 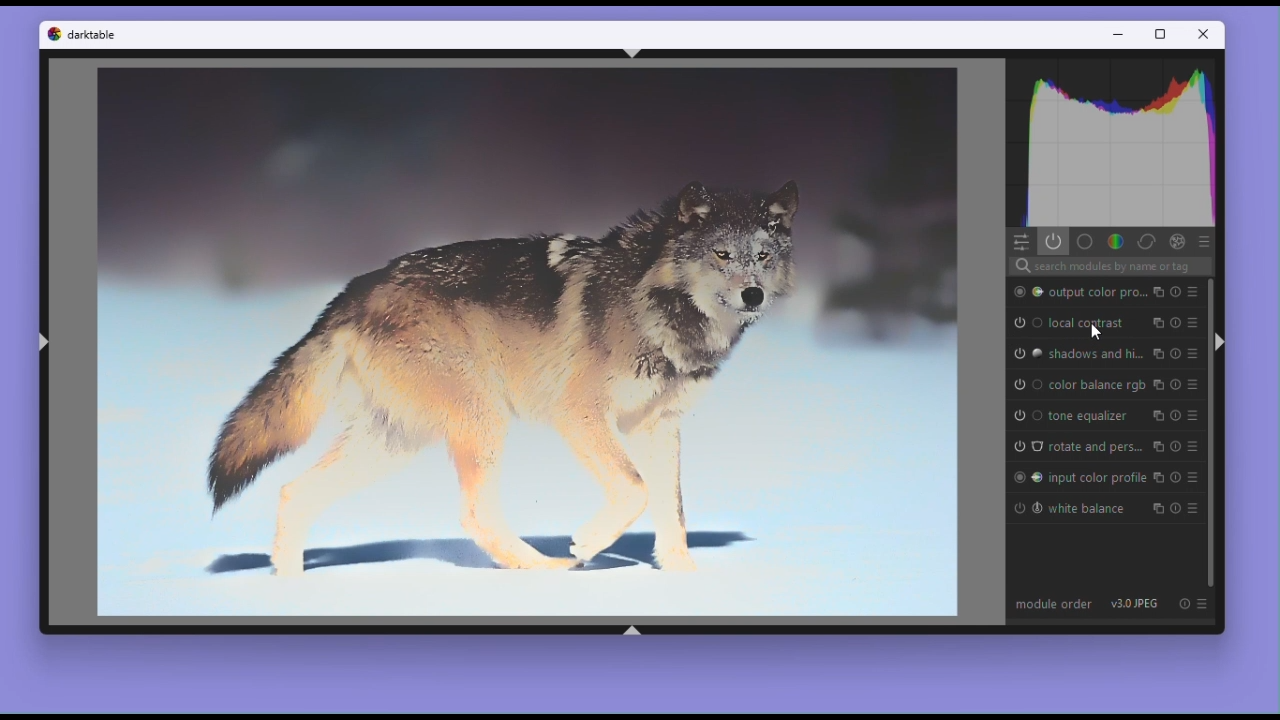 What do you see at coordinates (1197, 442) in the screenshot?
I see `presets` at bounding box center [1197, 442].